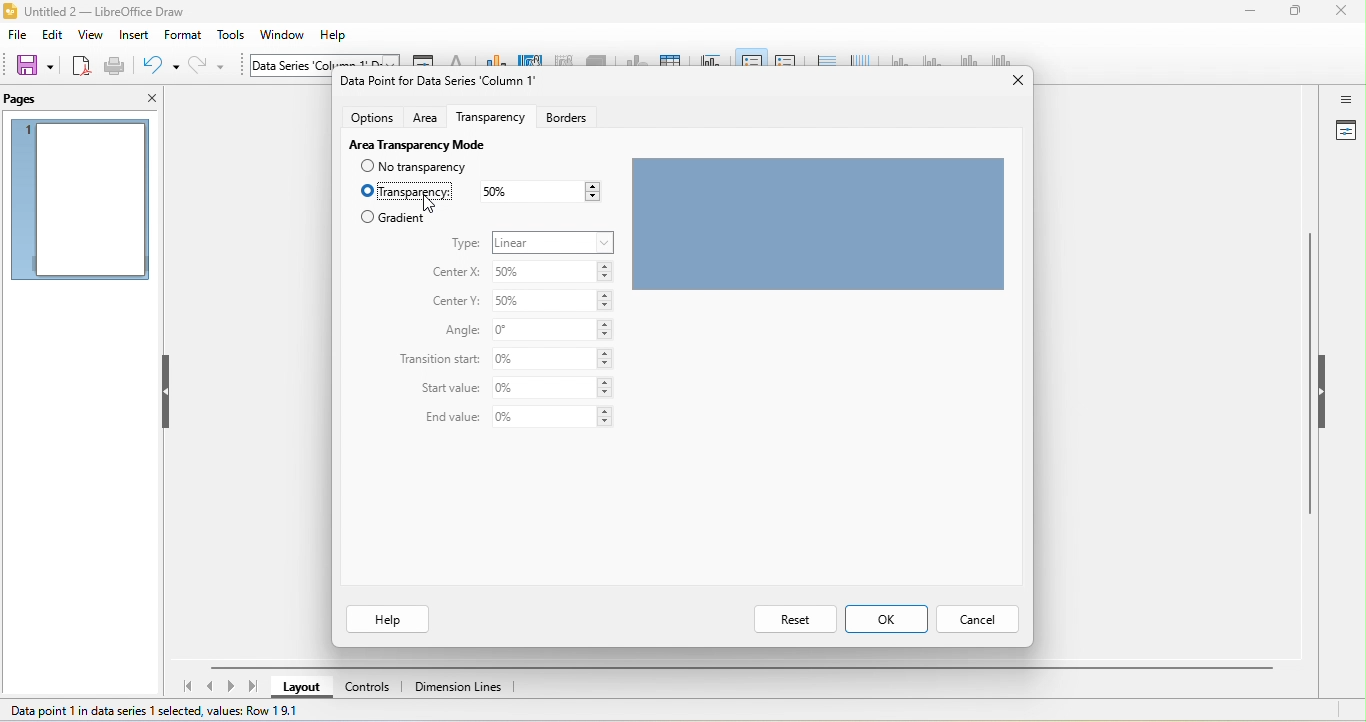  Describe the element at coordinates (1322, 389) in the screenshot. I see `hide` at that location.